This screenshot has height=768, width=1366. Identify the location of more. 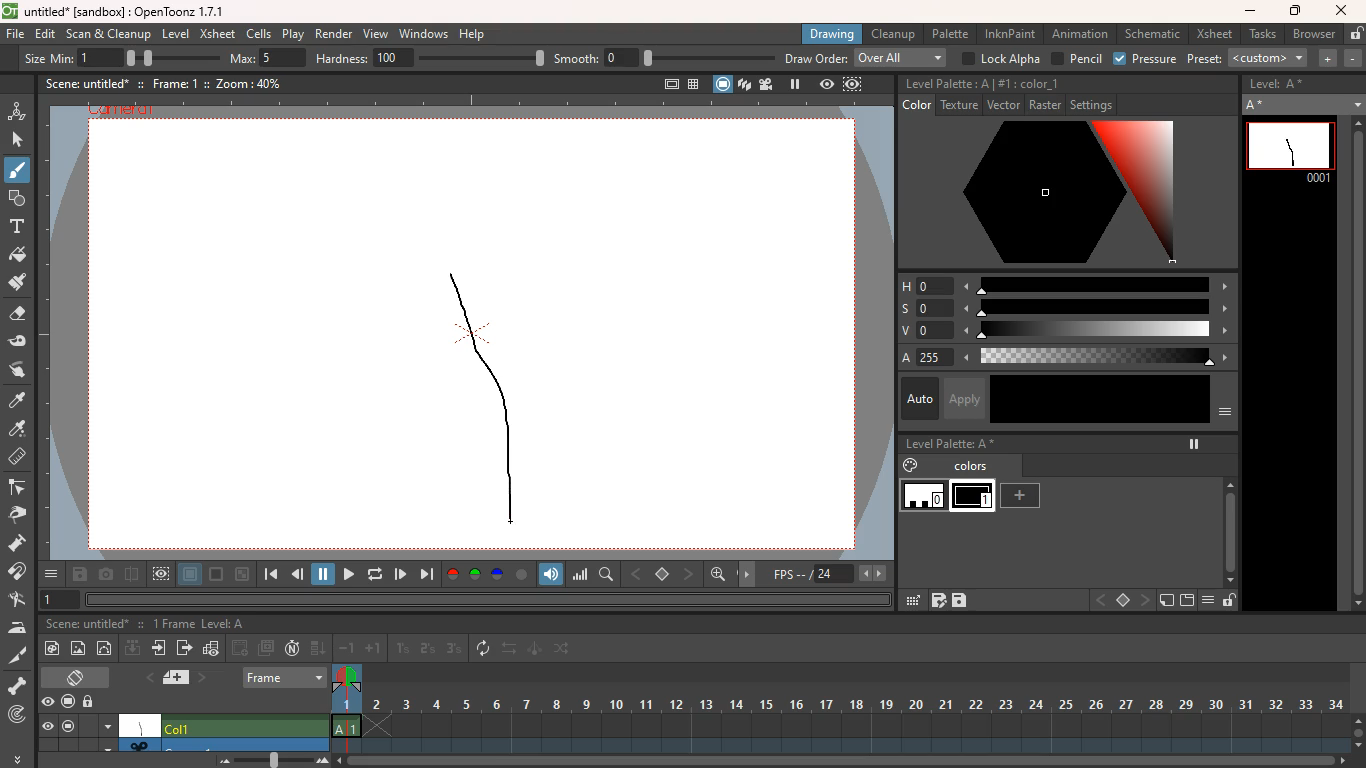
(51, 574).